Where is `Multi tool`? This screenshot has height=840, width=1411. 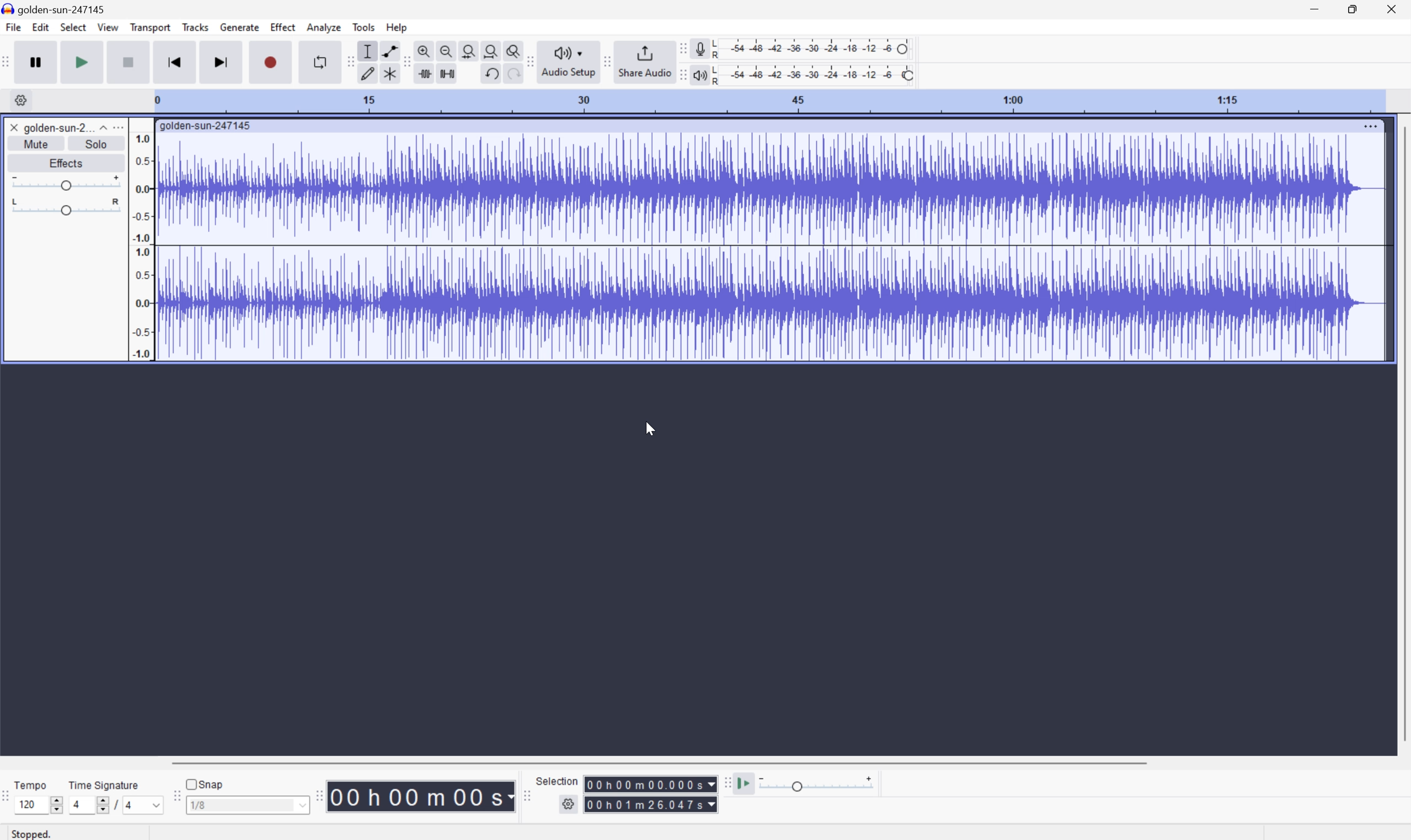 Multi tool is located at coordinates (387, 76).